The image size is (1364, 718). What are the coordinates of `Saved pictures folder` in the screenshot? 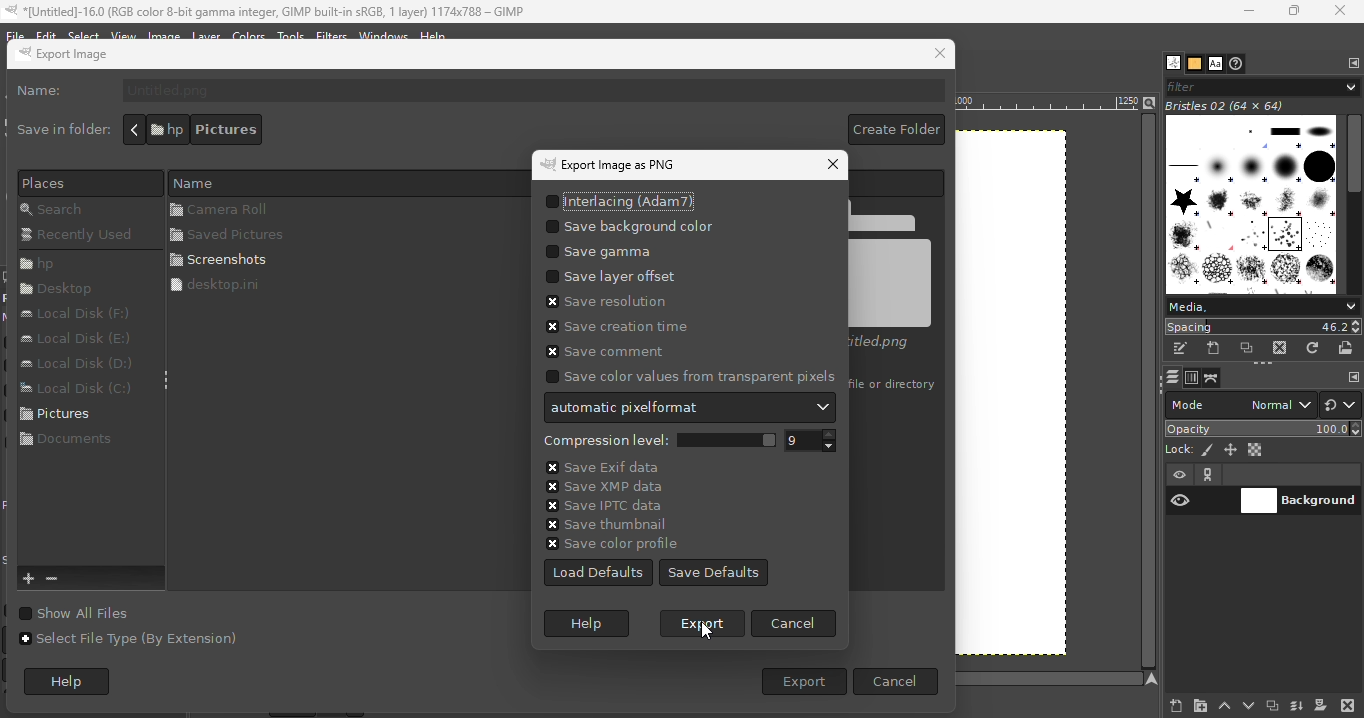 It's located at (341, 235).